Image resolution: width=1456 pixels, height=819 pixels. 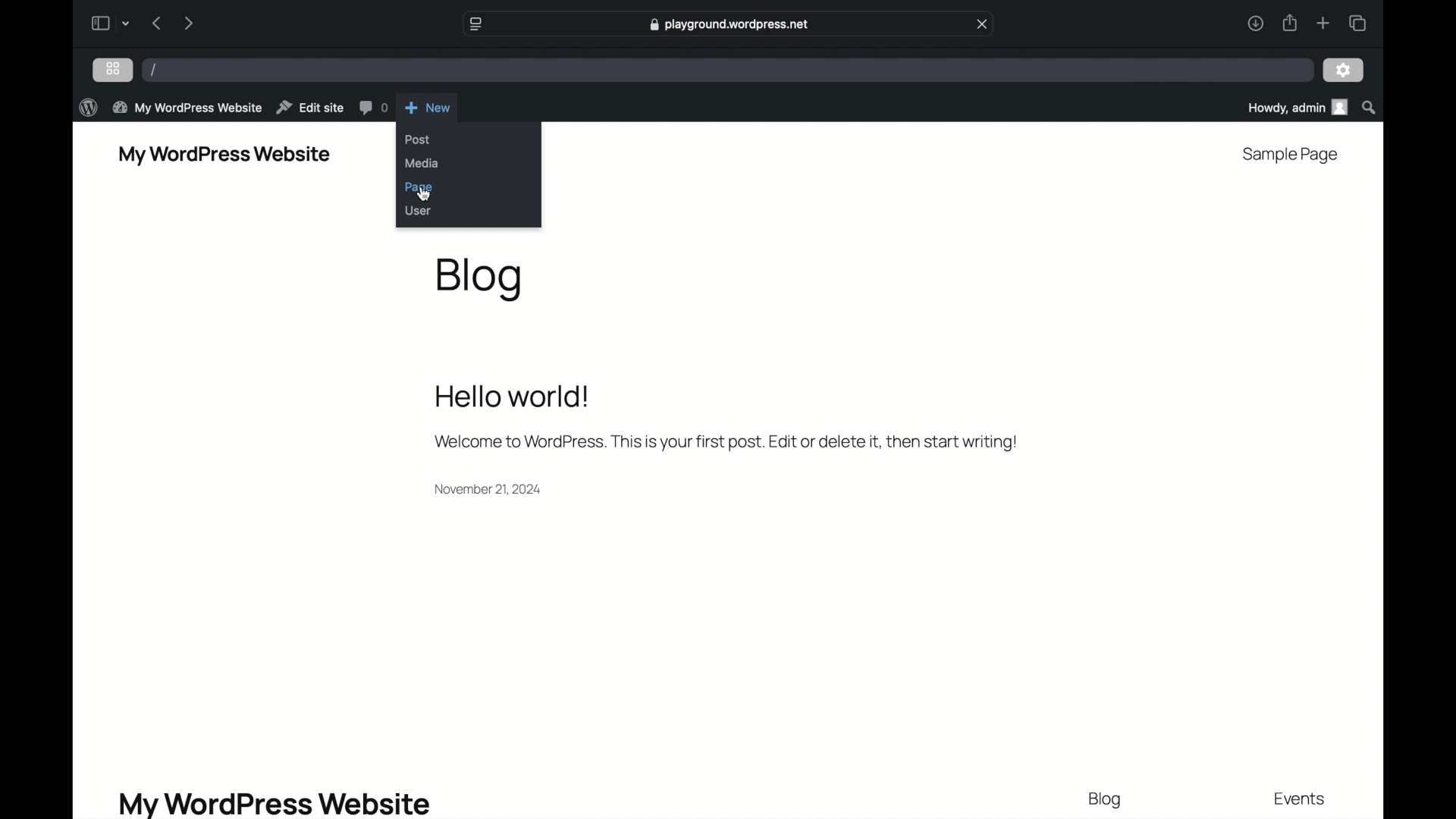 I want to click on my wordpress website, so click(x=273, y=802).